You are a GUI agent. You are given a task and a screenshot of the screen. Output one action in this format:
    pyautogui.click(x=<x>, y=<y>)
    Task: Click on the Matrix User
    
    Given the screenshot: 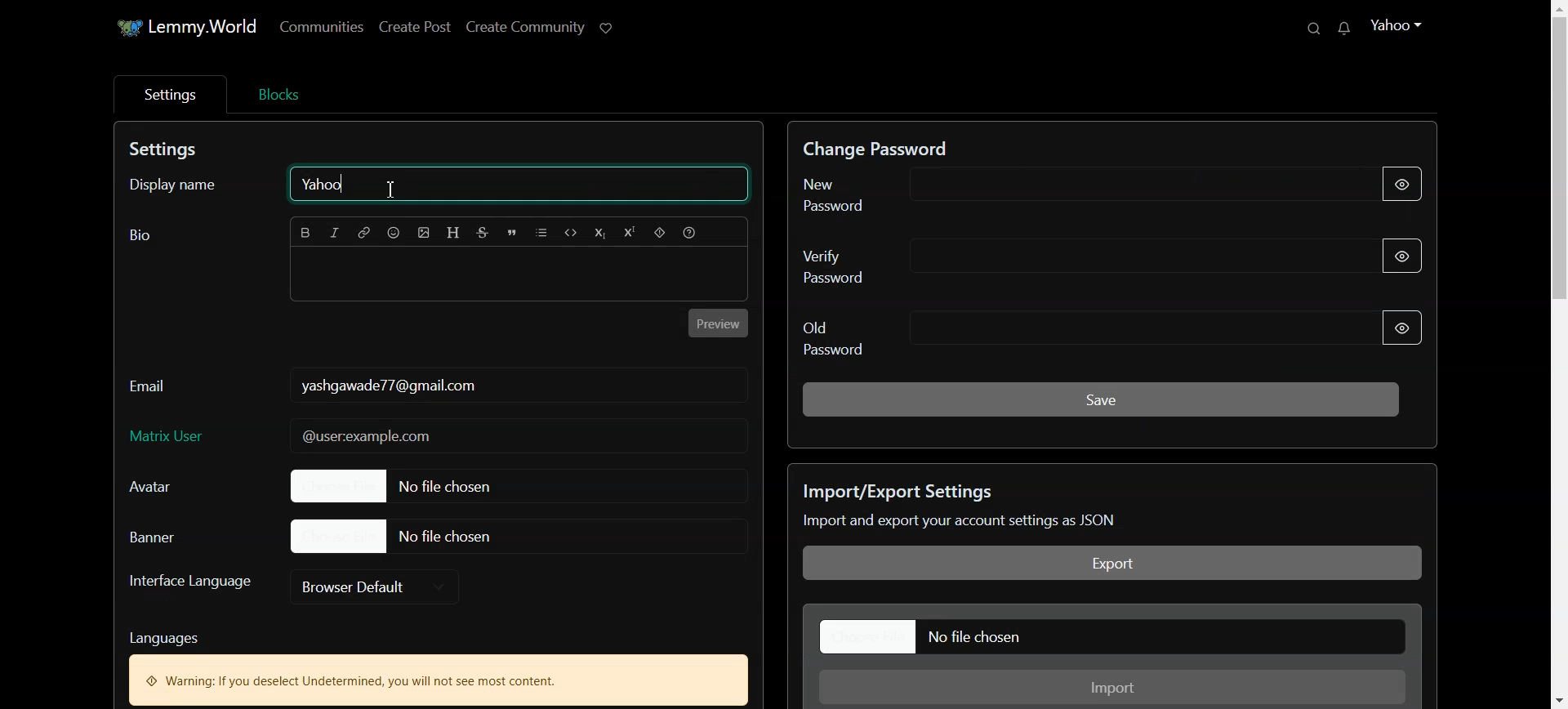 What is the action you would take?
    pyautogui.click(x=437, y=437)
    